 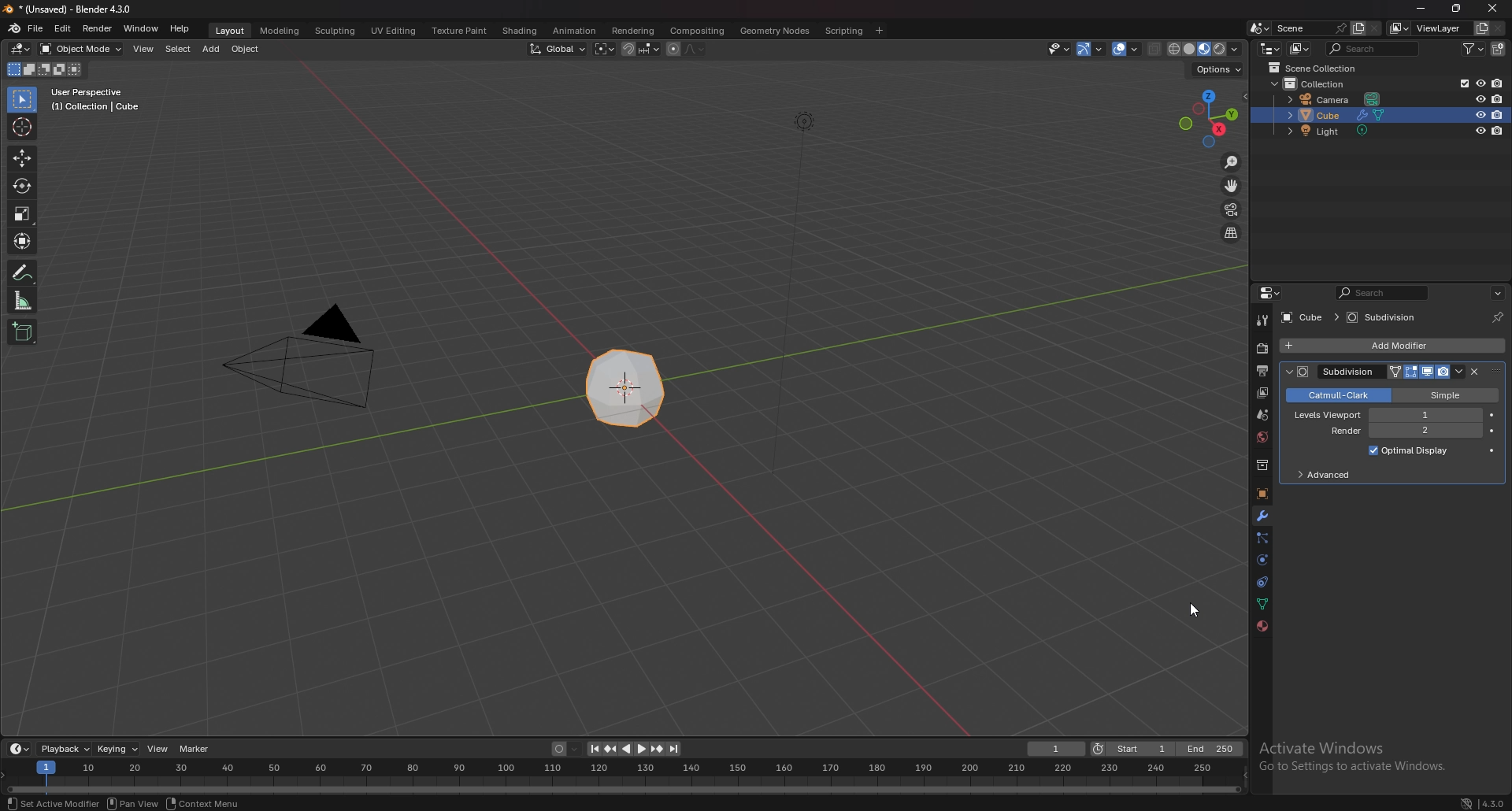 What do you see at coordinates (699, 31) in the screenshot?
I see `compositing` at bounding box center [699, 31].